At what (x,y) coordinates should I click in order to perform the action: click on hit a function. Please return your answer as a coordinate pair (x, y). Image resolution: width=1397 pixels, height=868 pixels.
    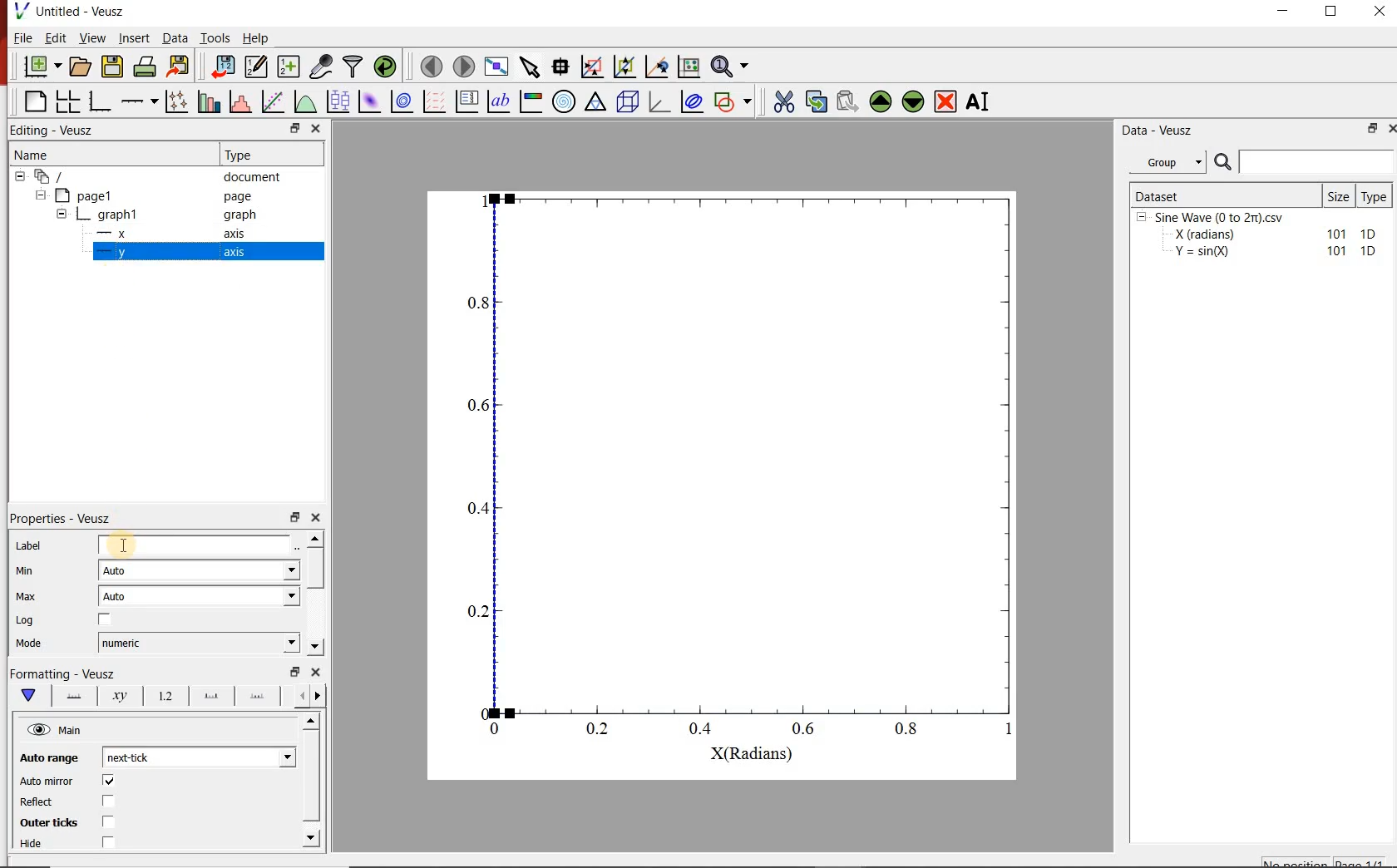
    Looking at the image, I should click on (274, 101).